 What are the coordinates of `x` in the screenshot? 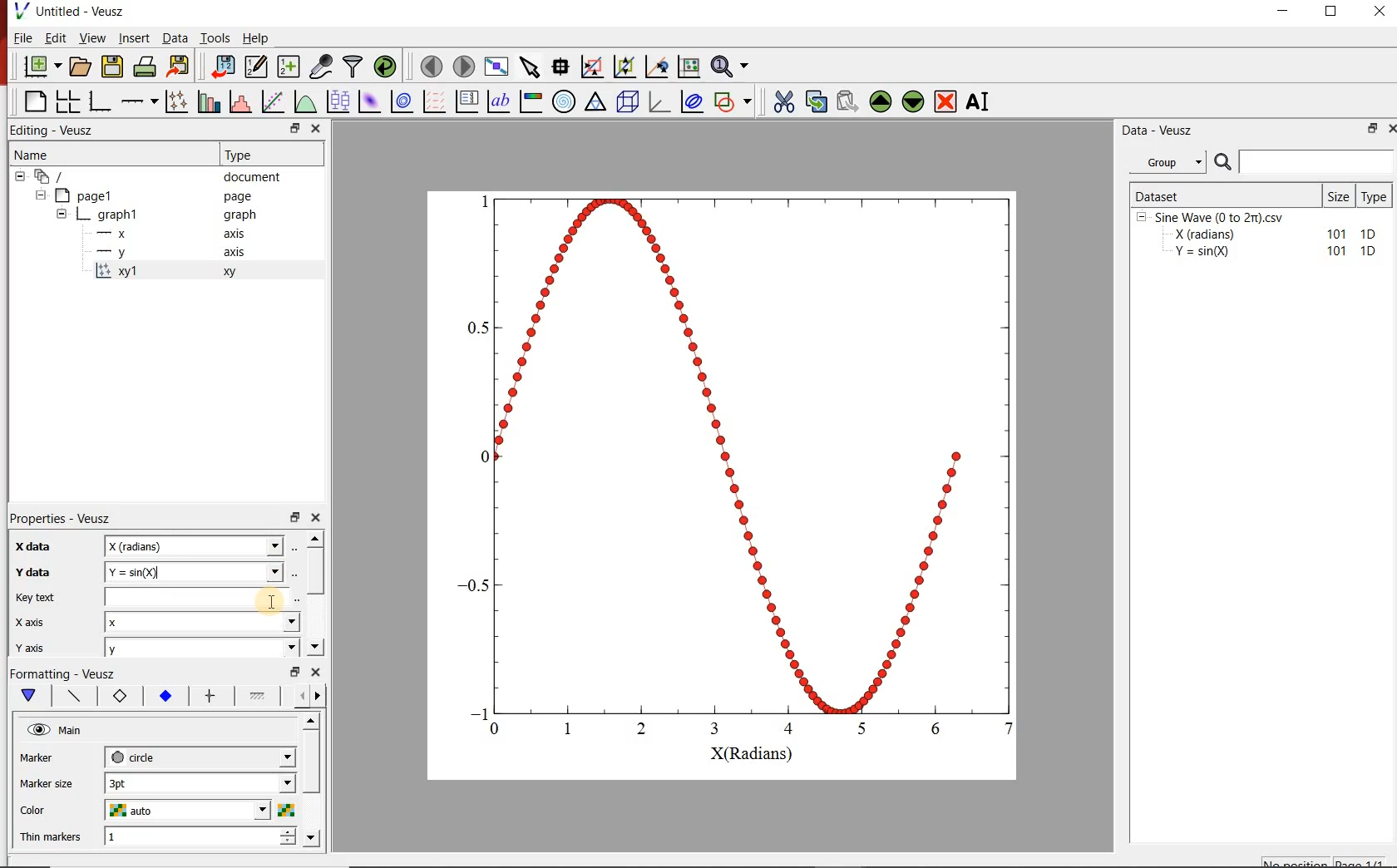 It's located at (207, 624).